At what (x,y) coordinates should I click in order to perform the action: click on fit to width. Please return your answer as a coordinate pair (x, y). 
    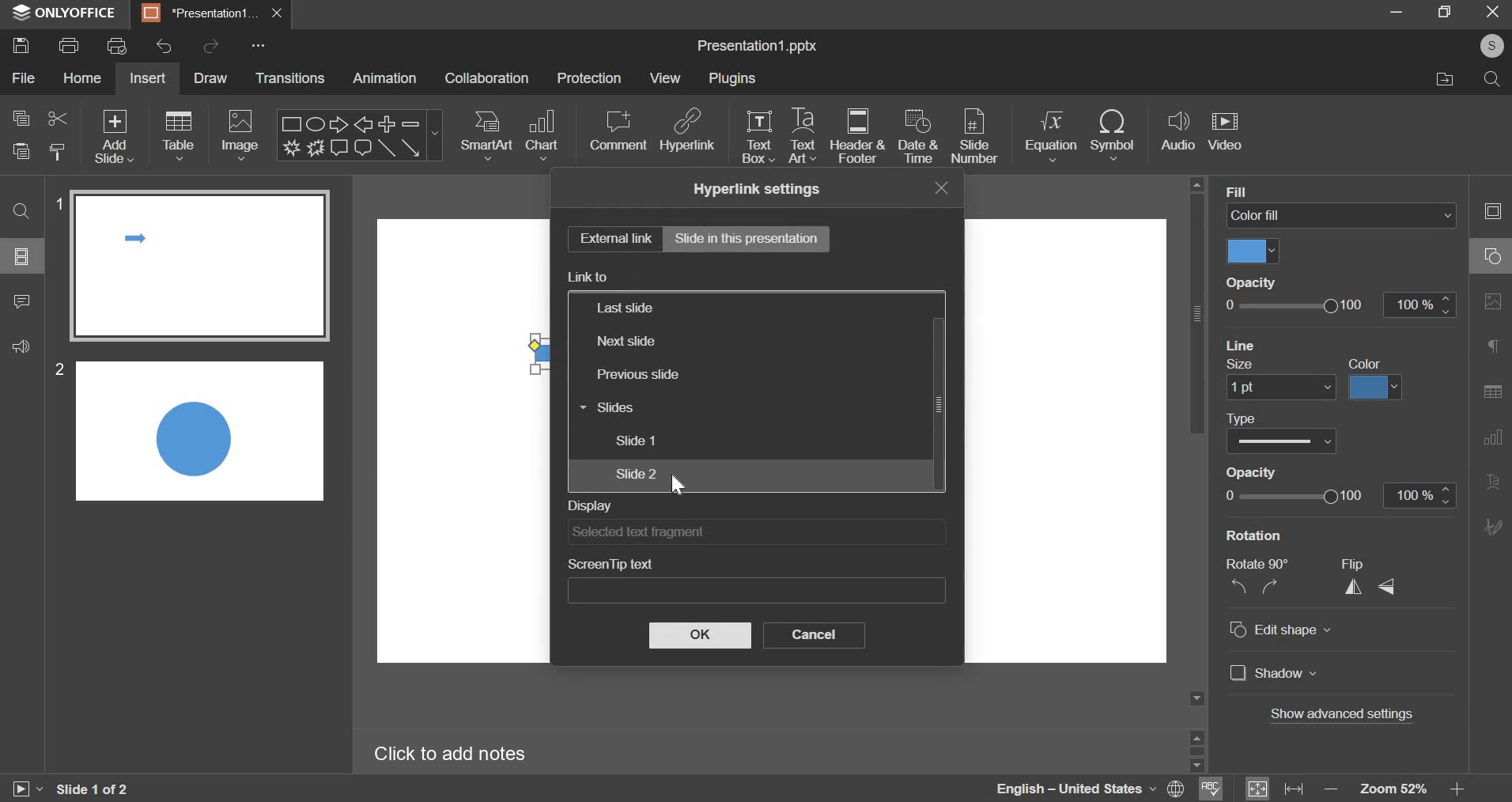
    Looking at the image, I should click on (1295, 789).